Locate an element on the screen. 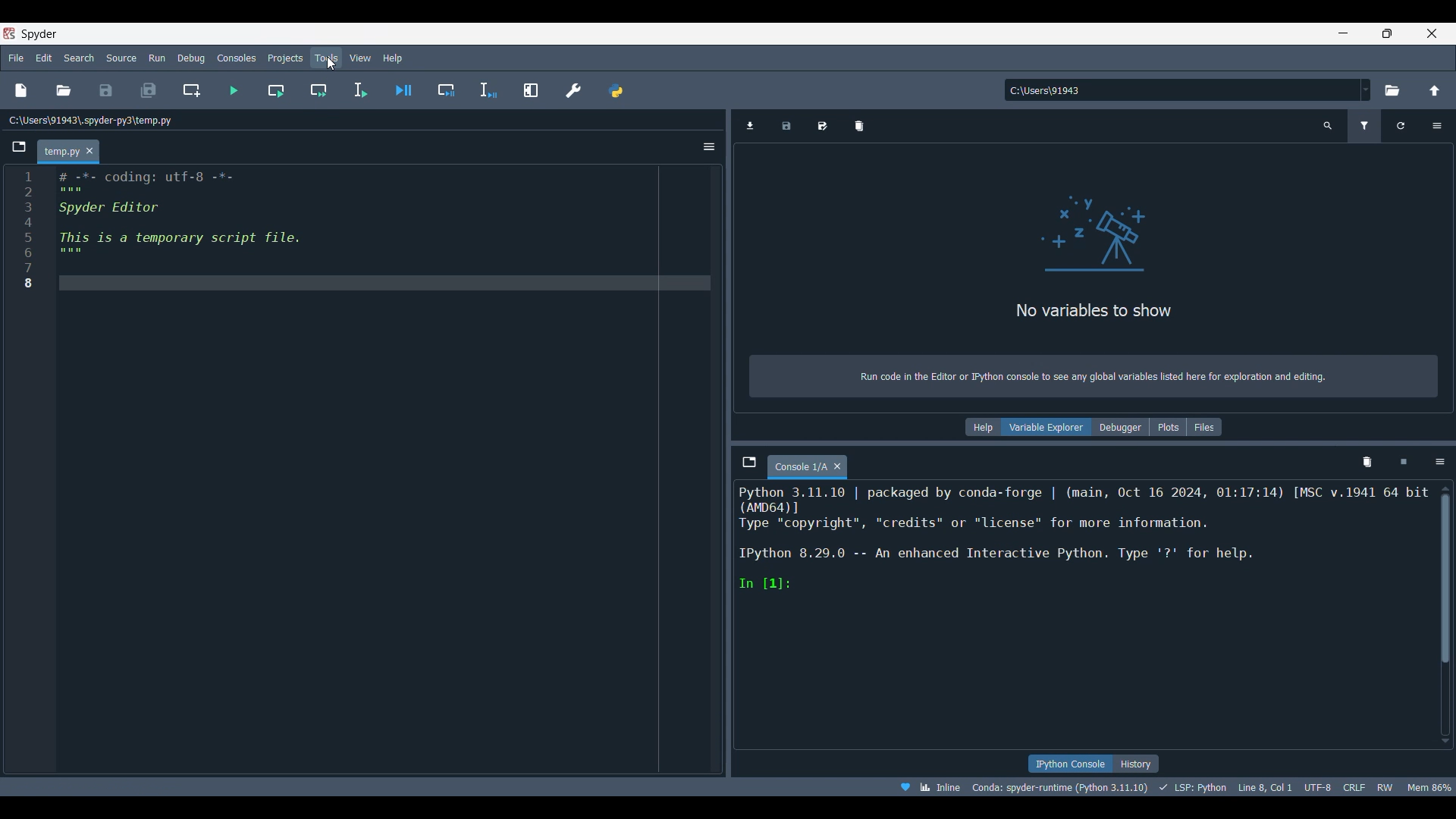 Image resolution: width=1456 pixels, height=819 pixels. Interrupt kernel is located at coordinates (1404, 463).